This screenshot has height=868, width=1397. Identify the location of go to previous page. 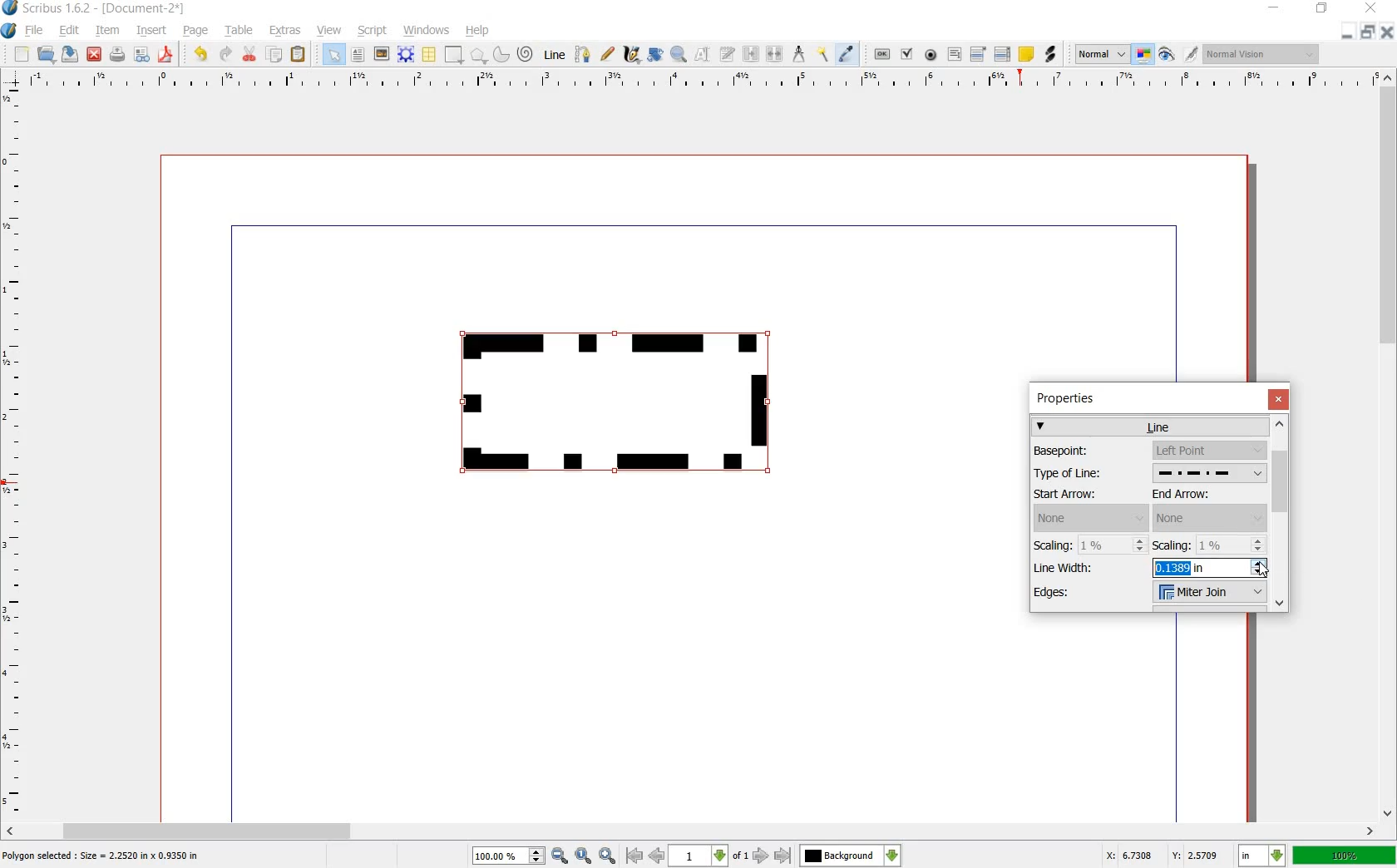
(656, 856).